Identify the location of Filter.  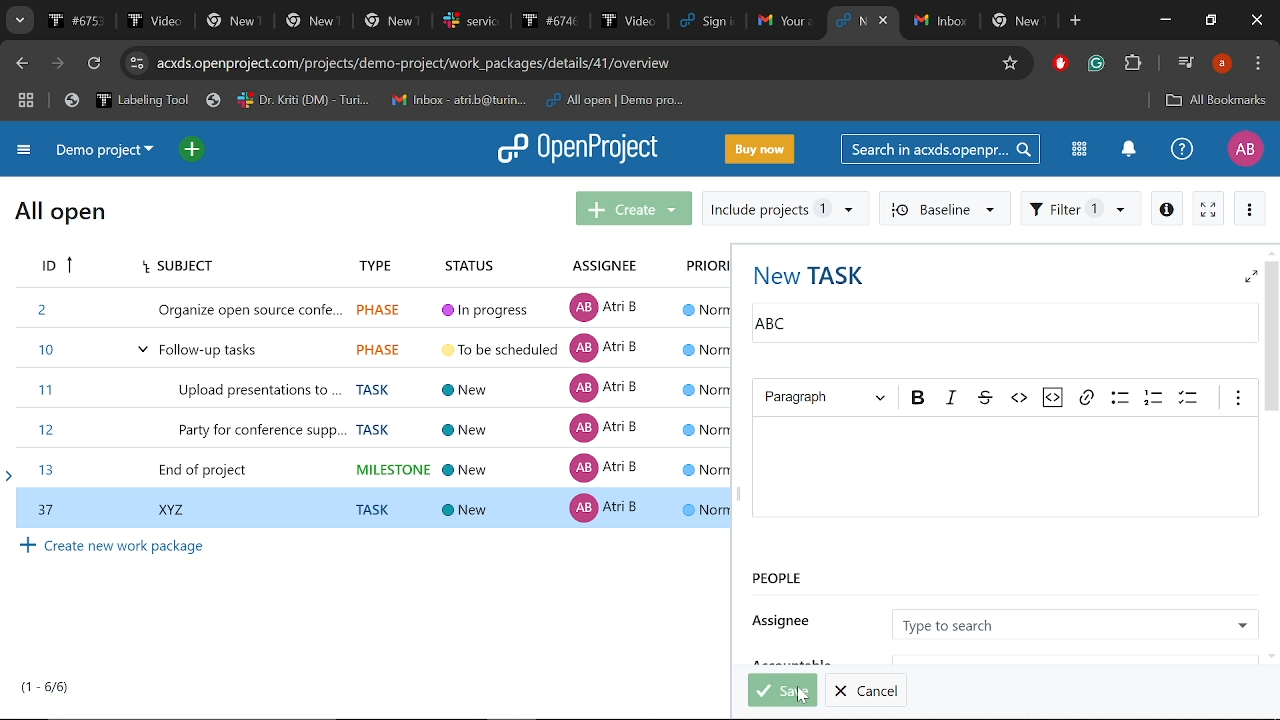
(1081, 207).